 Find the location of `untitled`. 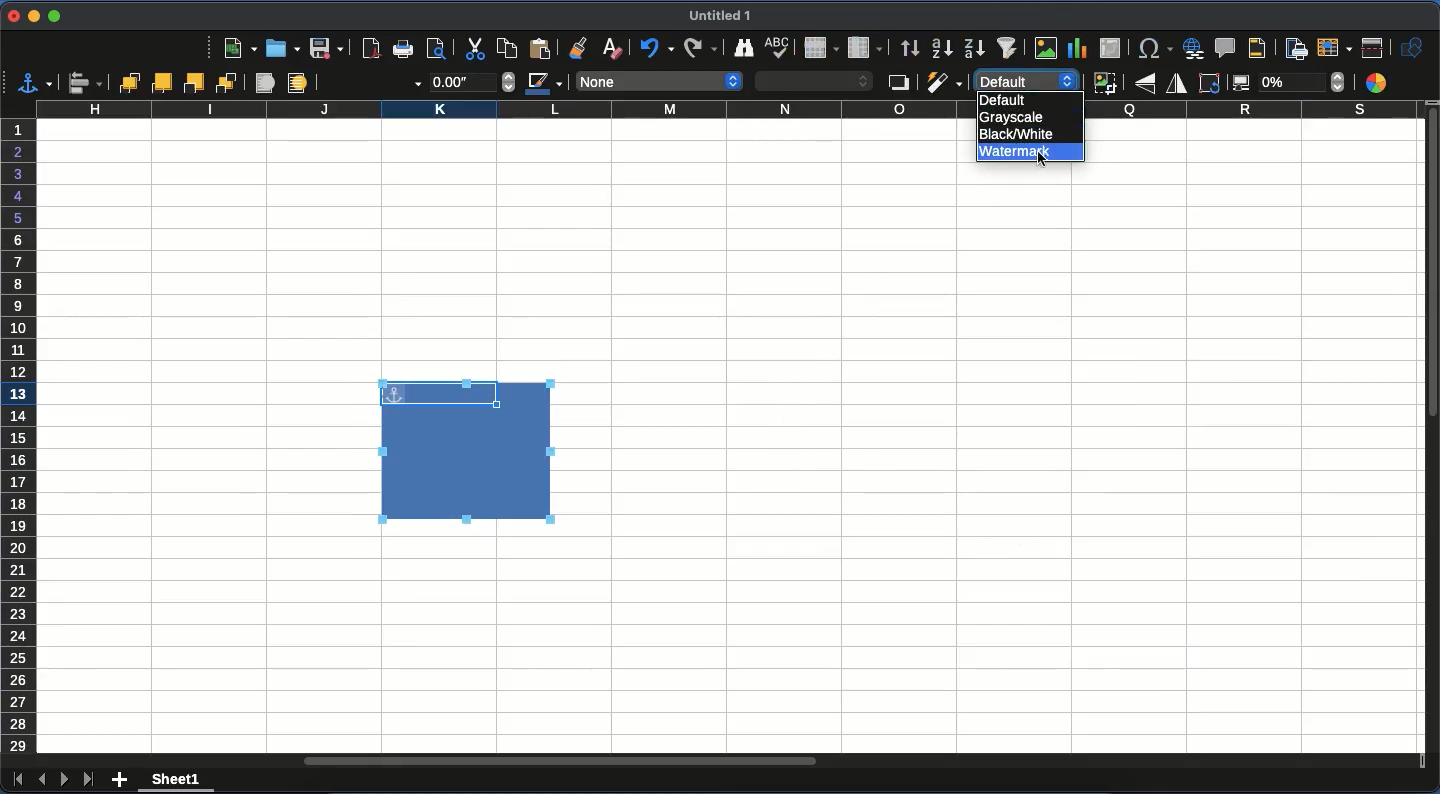

untitled is located at coordinates (719, 15).